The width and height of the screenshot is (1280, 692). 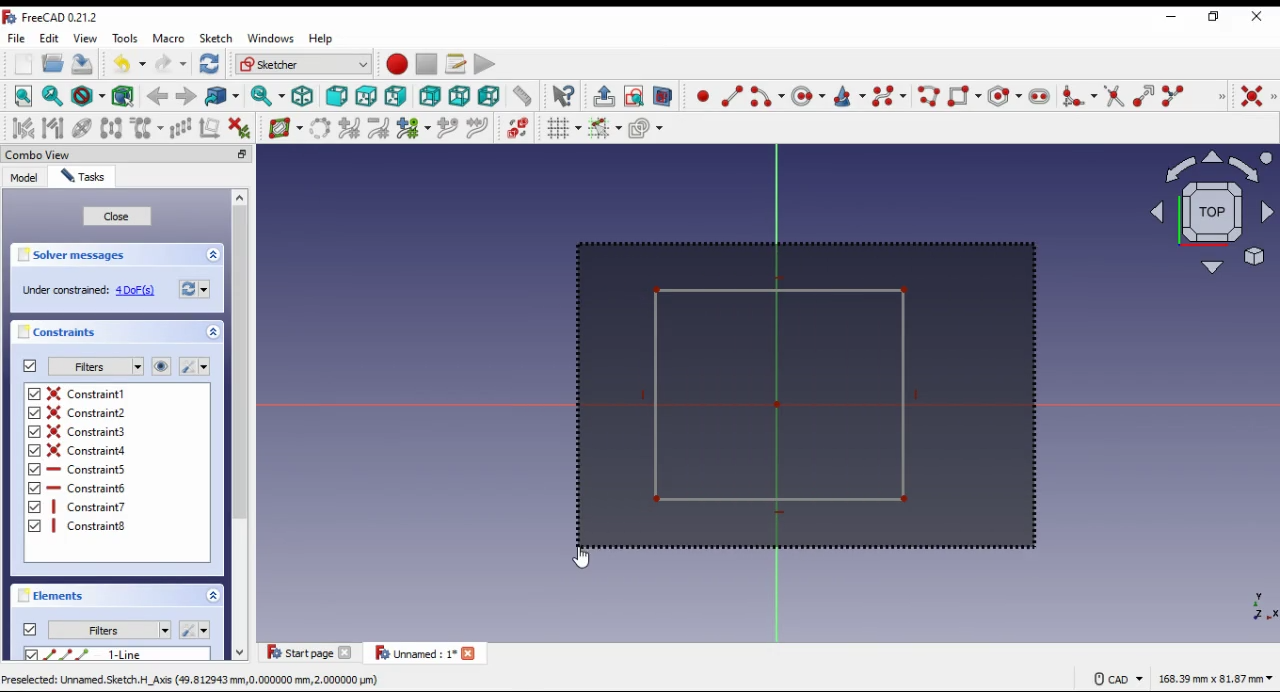 What do you see at coordinates (113, 129) in the screenshot?
I see `symmetry` at bounding box center [113, 129].